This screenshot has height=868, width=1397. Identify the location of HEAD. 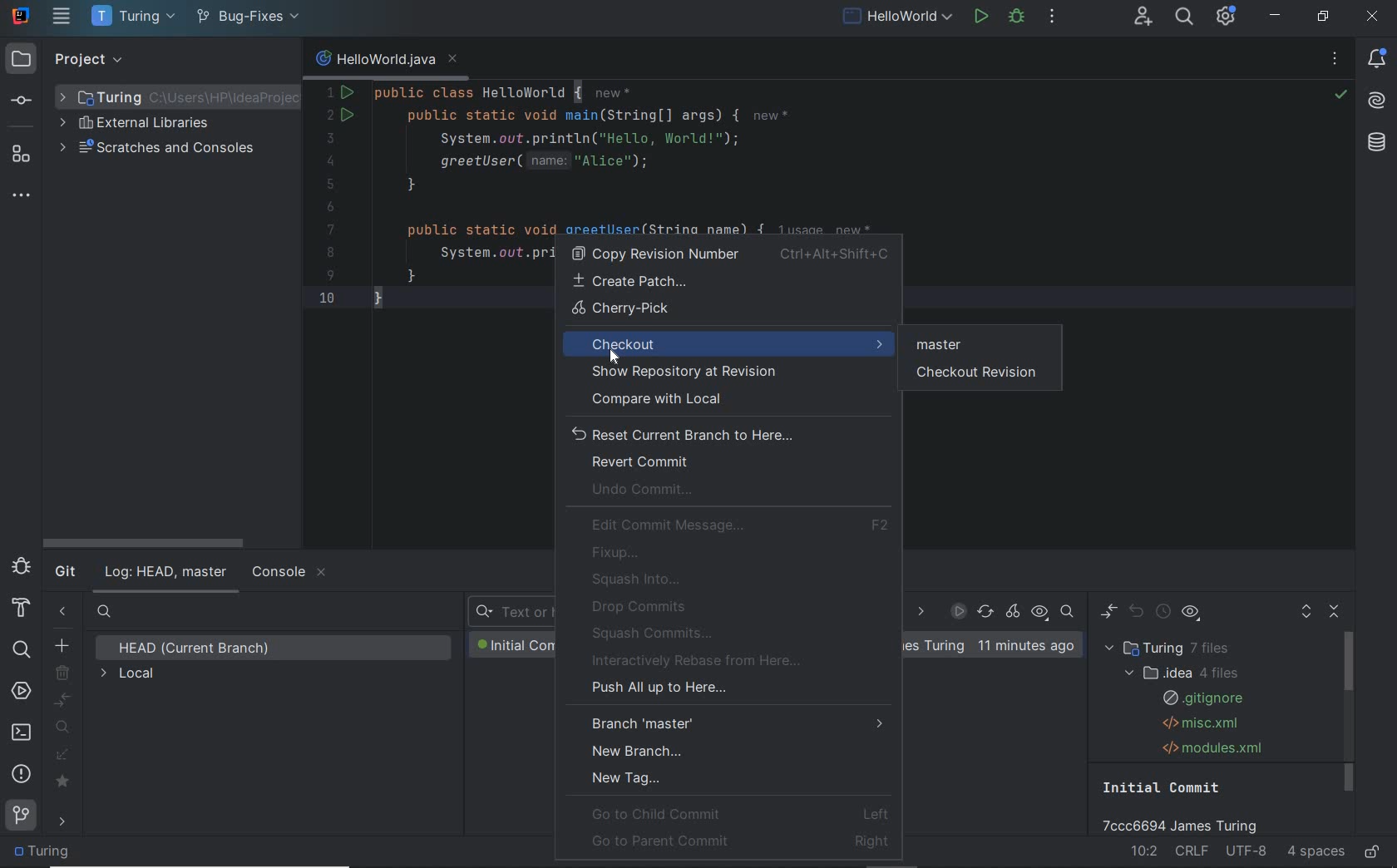
(199, 649).